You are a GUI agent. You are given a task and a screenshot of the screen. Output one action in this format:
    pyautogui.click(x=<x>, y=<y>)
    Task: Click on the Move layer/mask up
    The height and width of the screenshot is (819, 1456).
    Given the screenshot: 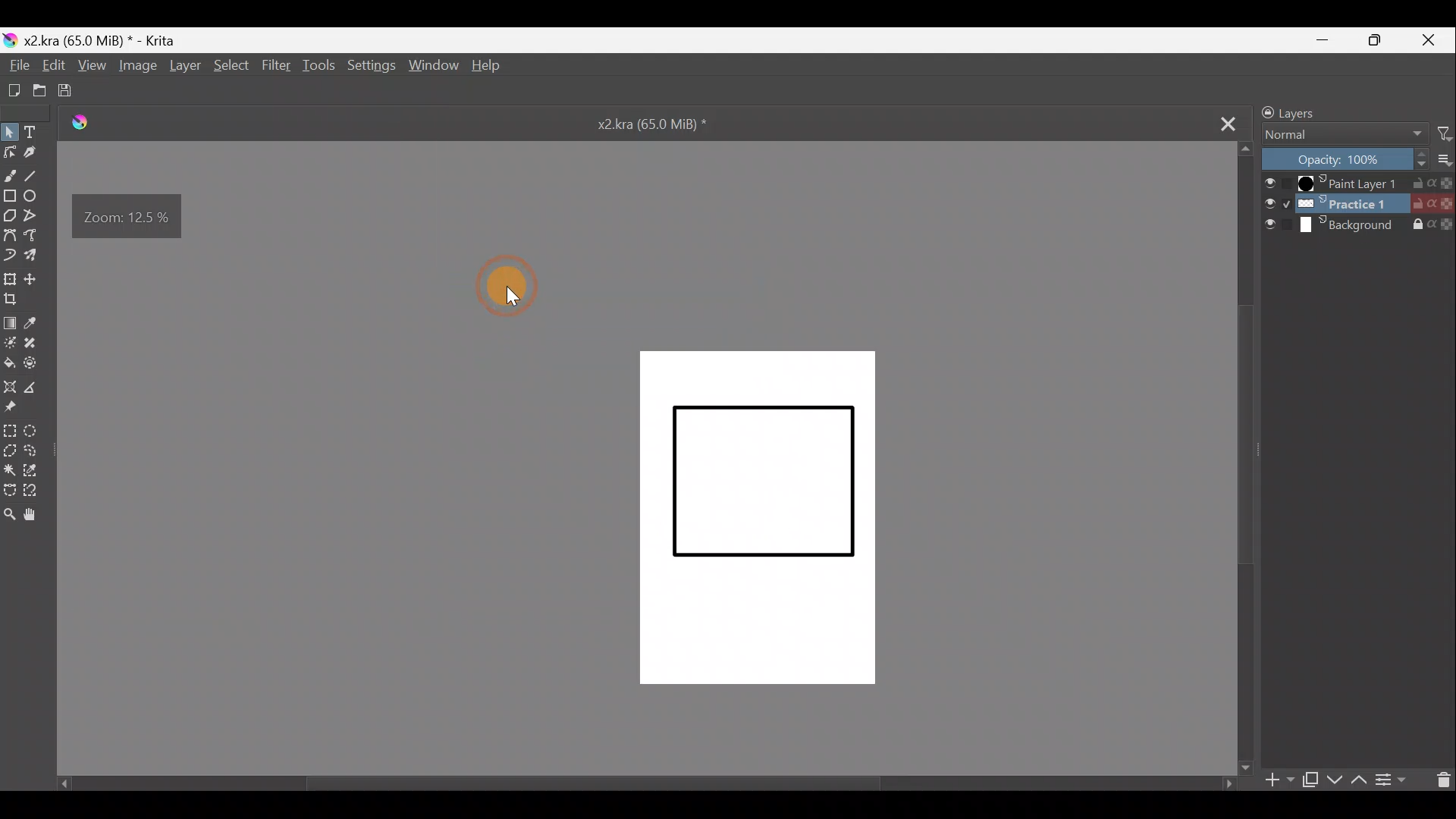 What is the action you would take?
    pyautogui.click(x=1359, y=782)
    